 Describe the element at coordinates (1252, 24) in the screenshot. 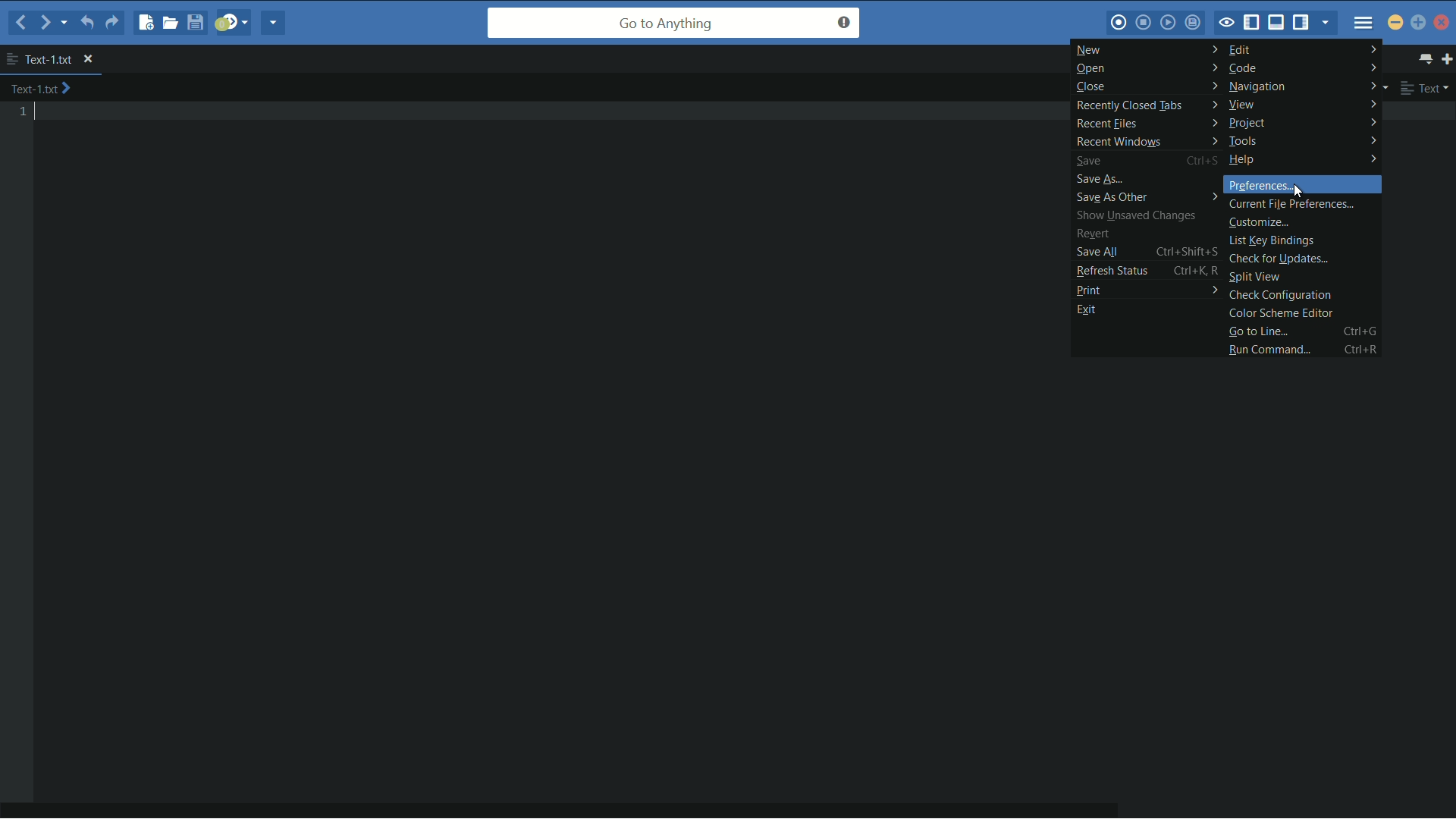

I see `show/hide left panel` at that location.